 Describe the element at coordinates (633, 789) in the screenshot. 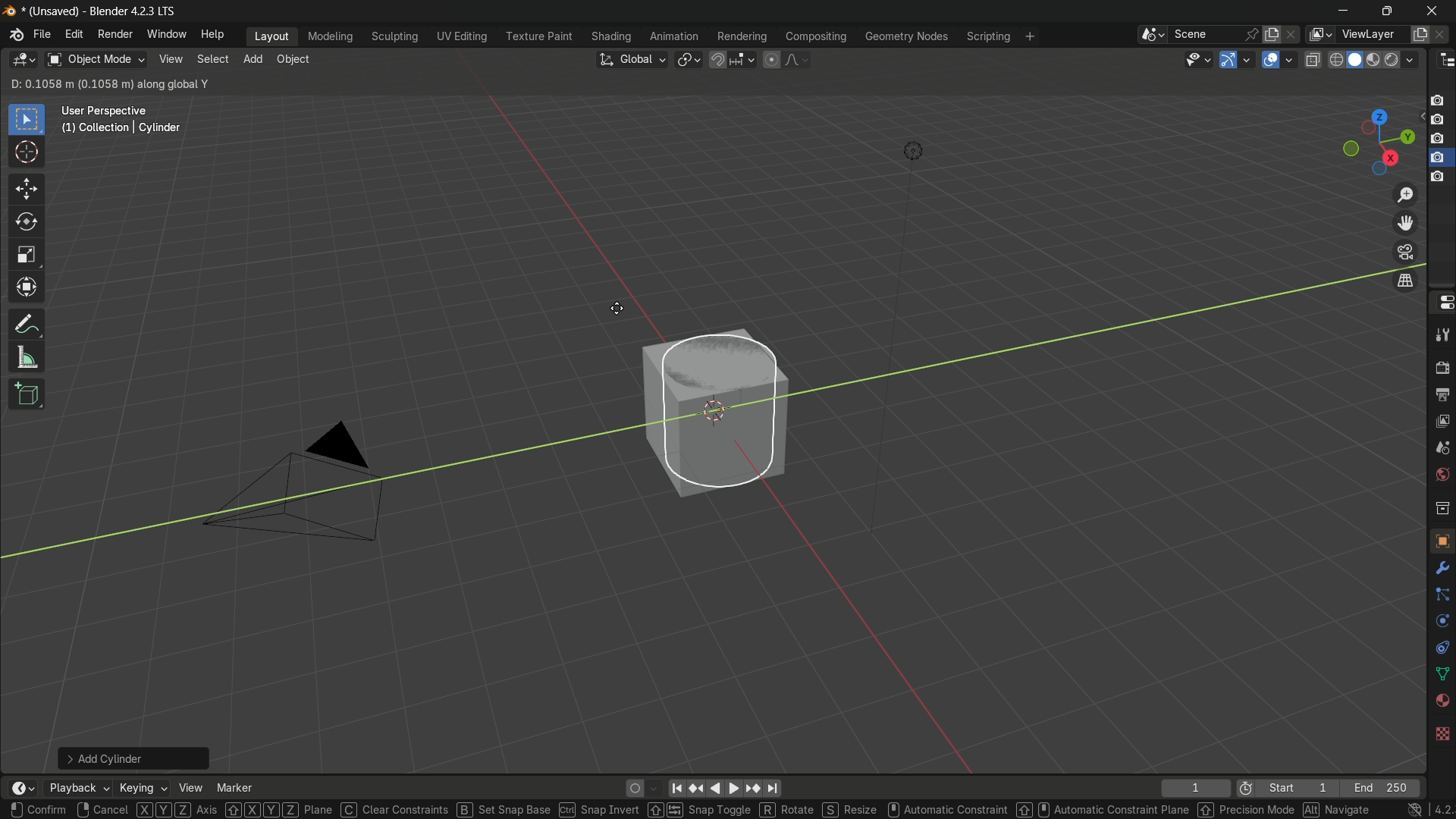

I see `auto keying` at that location.